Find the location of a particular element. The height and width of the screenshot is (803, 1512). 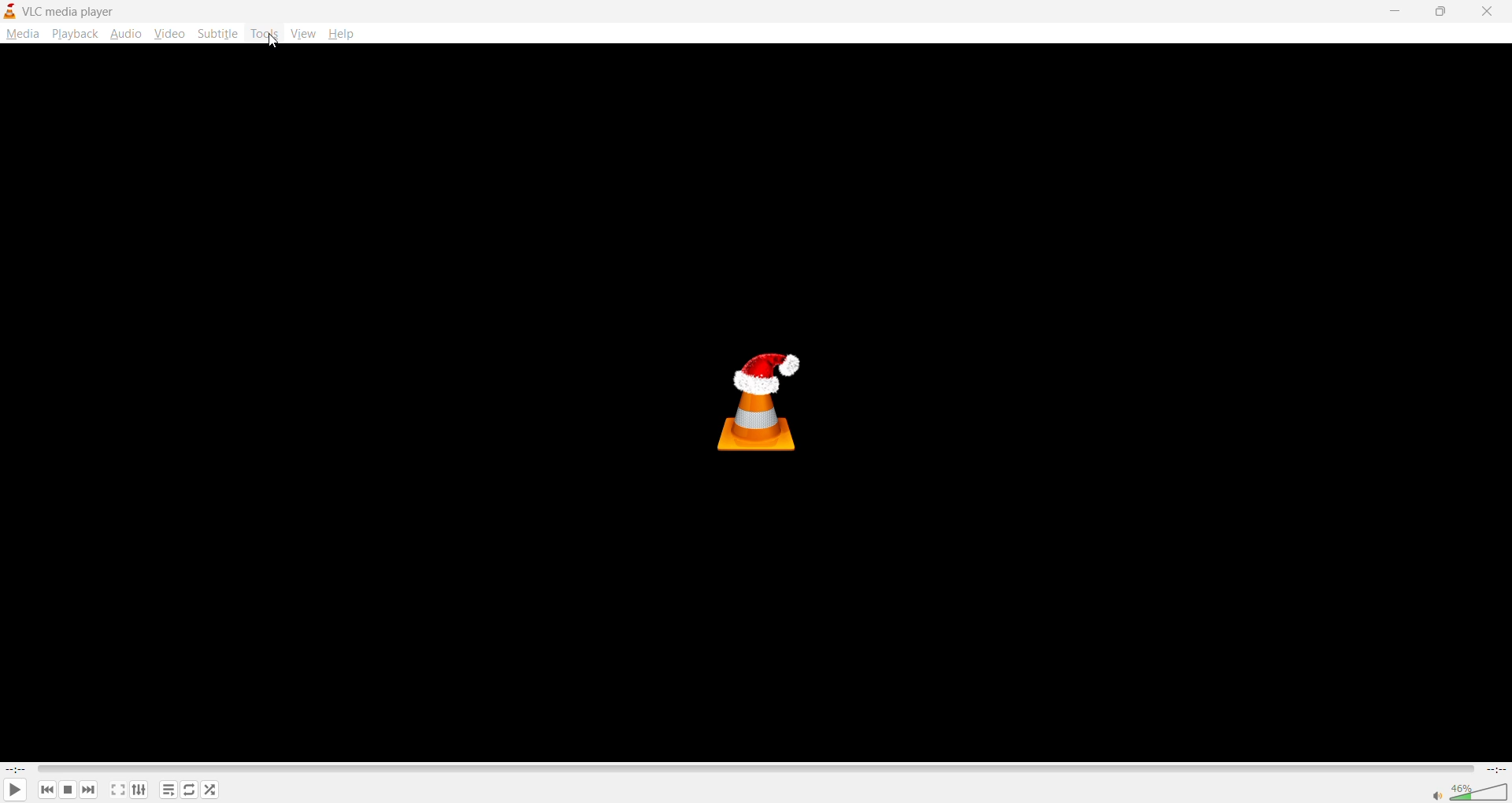

media is located at coordinates (22, 33).